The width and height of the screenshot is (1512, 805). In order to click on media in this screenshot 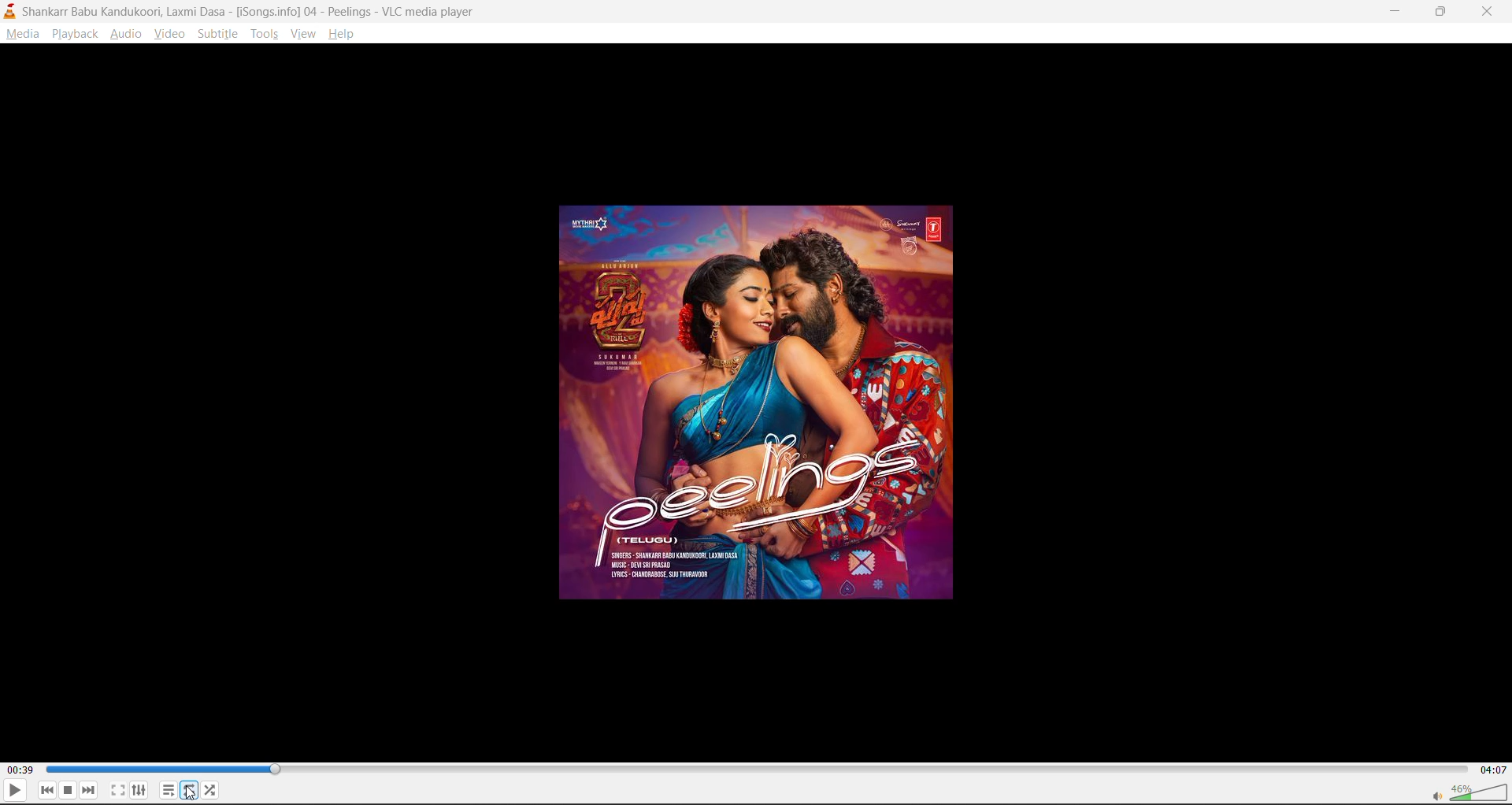, I will do `click(22, 35)`.